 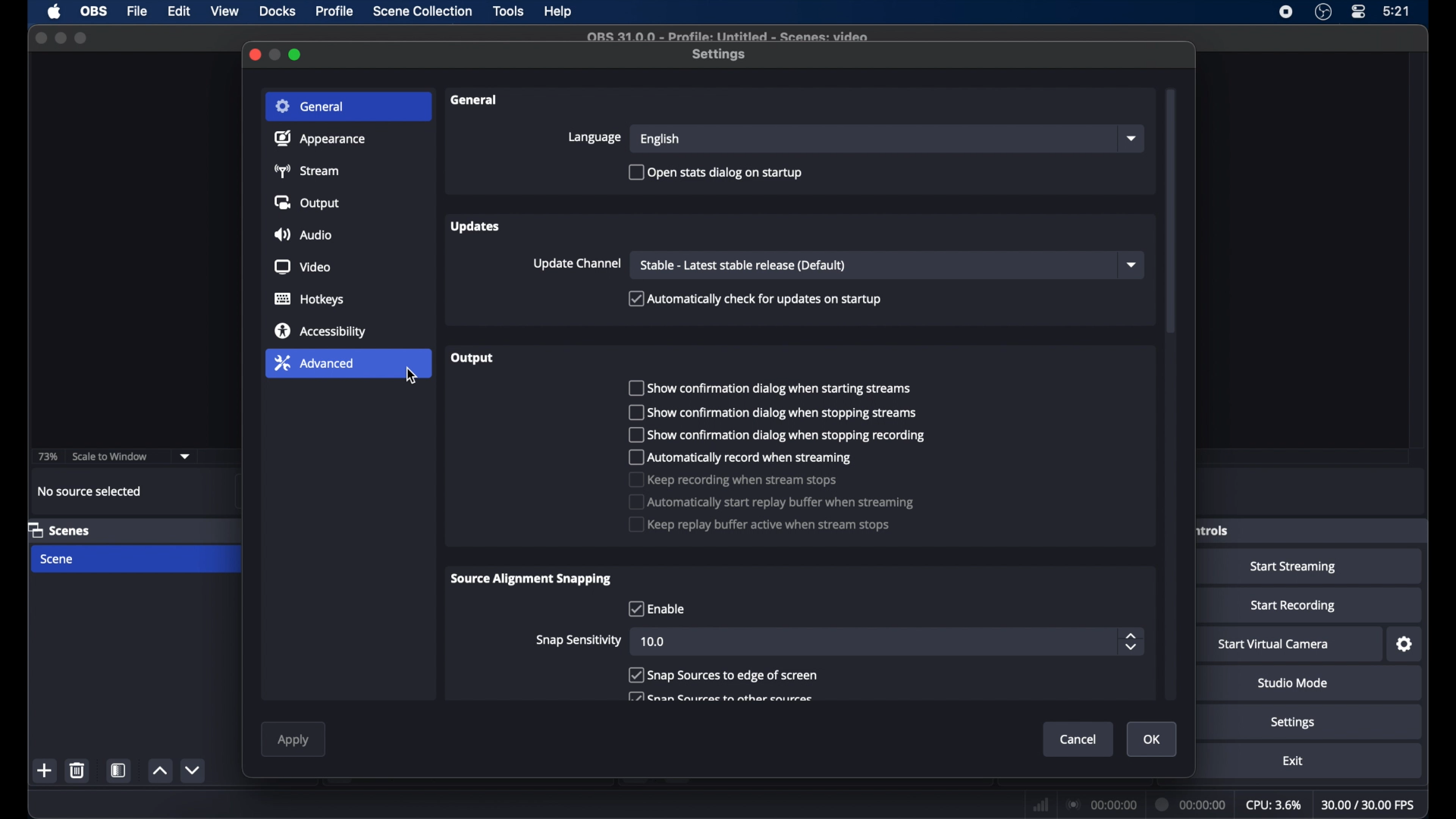 I want to click on dropdown, so click(x=1131, y=138).